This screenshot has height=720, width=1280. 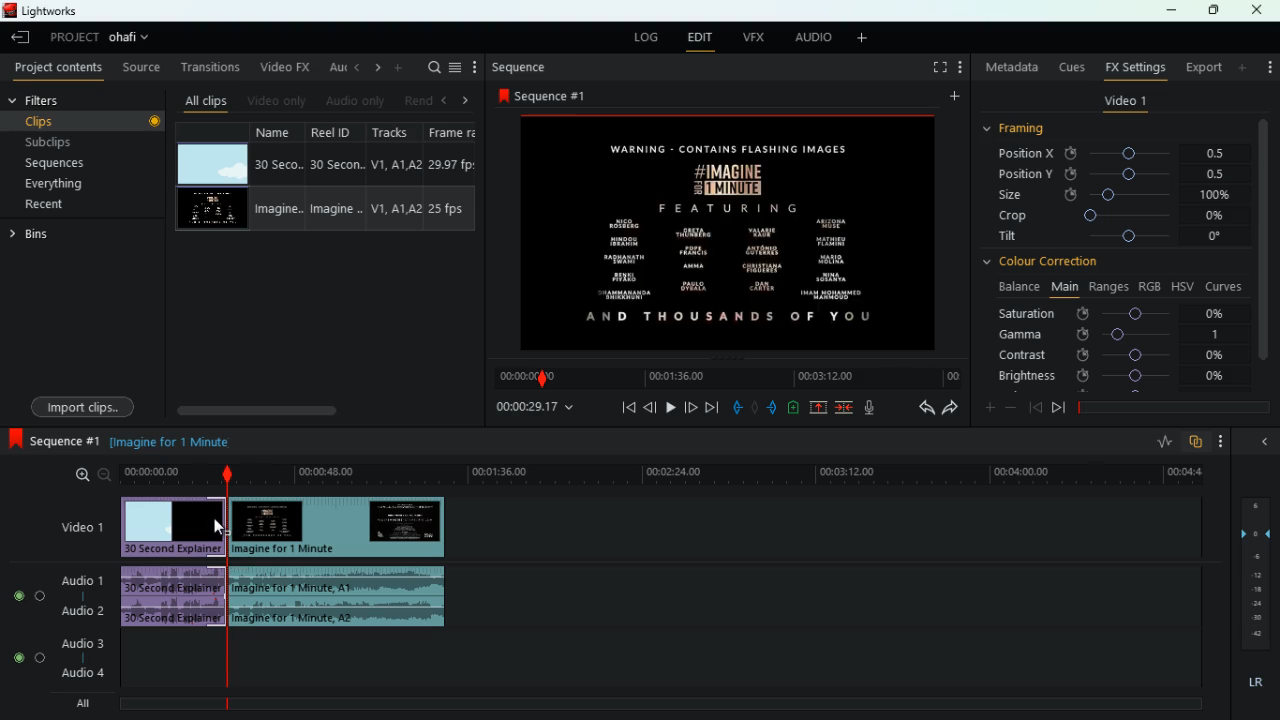 I want to click on more, so click(x=1267, y=62).